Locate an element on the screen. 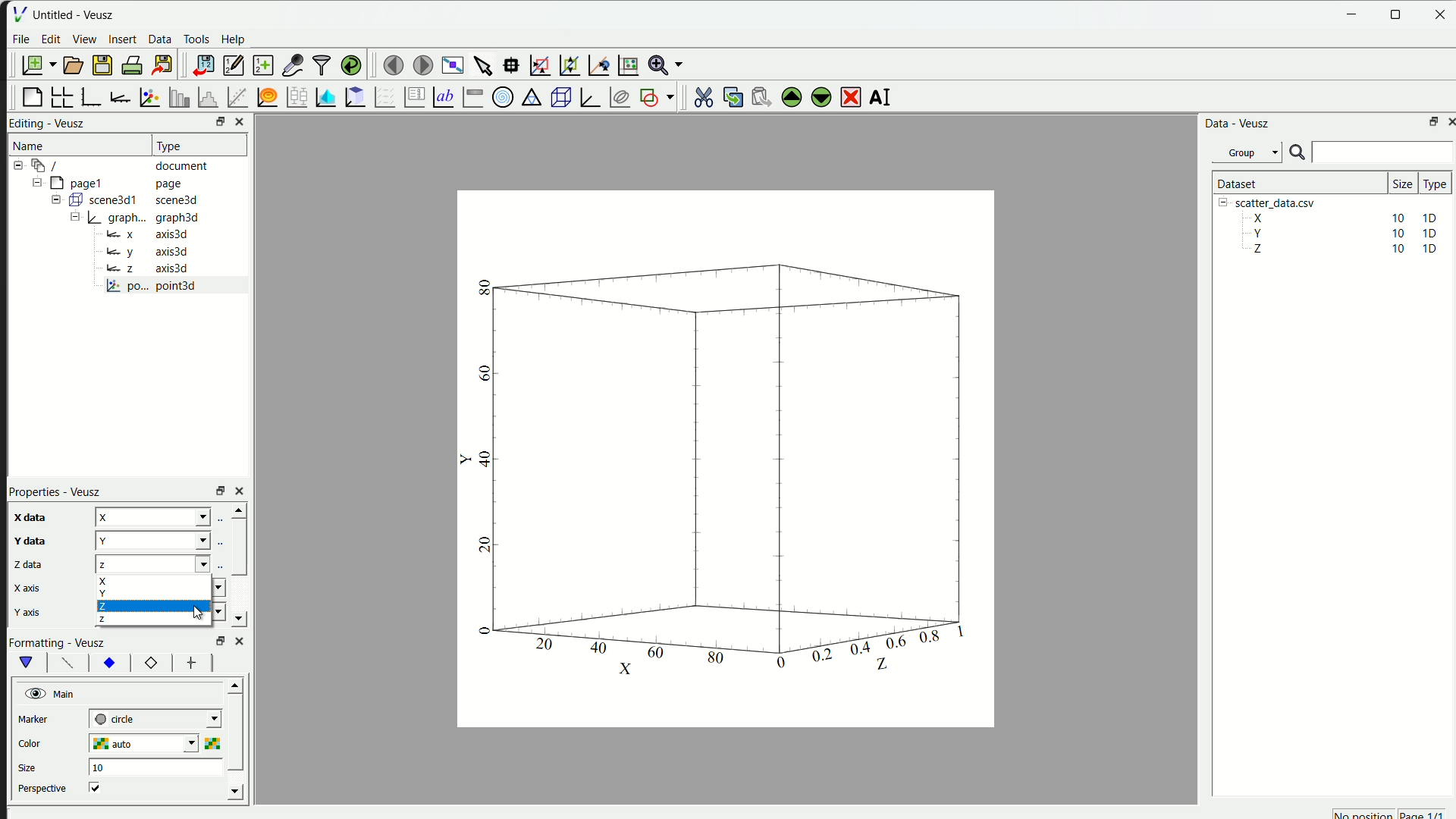 The image size is (1456, 819). Ternary Graph is located at coordinates (529, 97).